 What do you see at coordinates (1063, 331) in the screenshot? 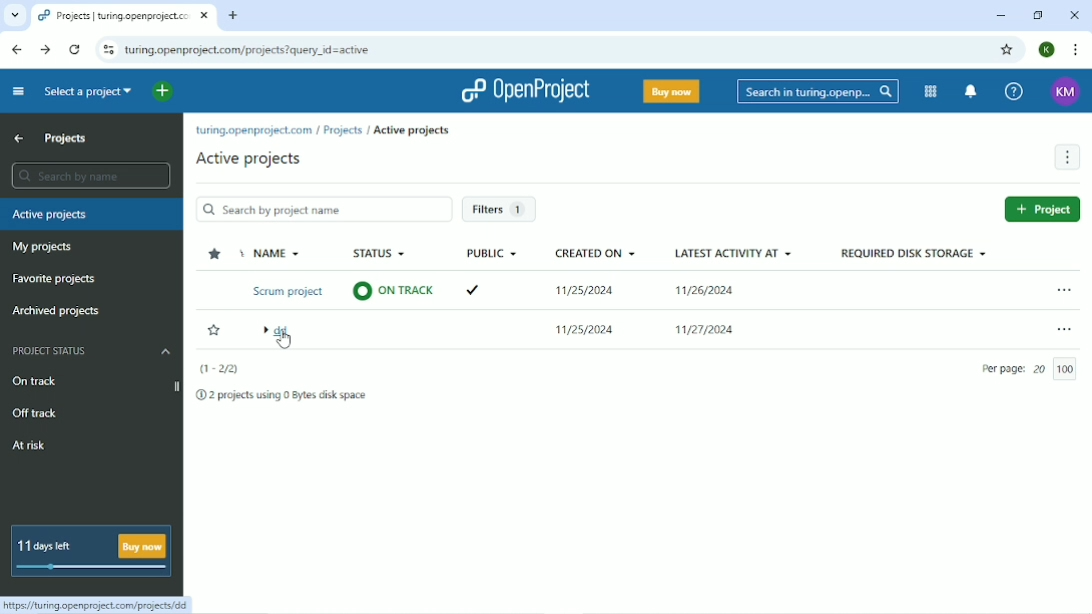
I see `More actions` at bounding box center [1063, 331].